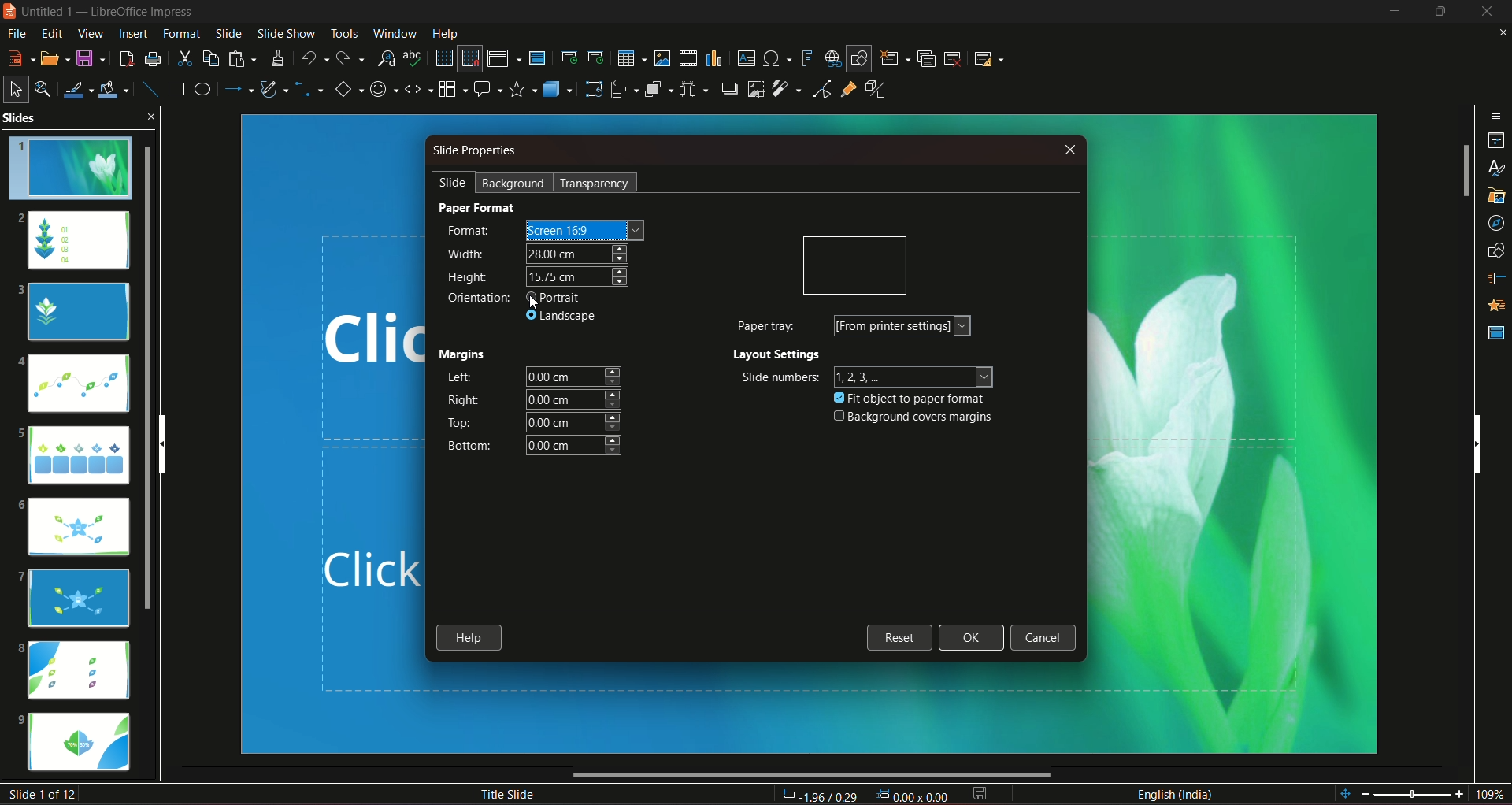 This screenshot has width=1512, height=805. What do you see at coordinates (88, 34) in the screenshot?
I see `view` at bounding box center [88, 34].